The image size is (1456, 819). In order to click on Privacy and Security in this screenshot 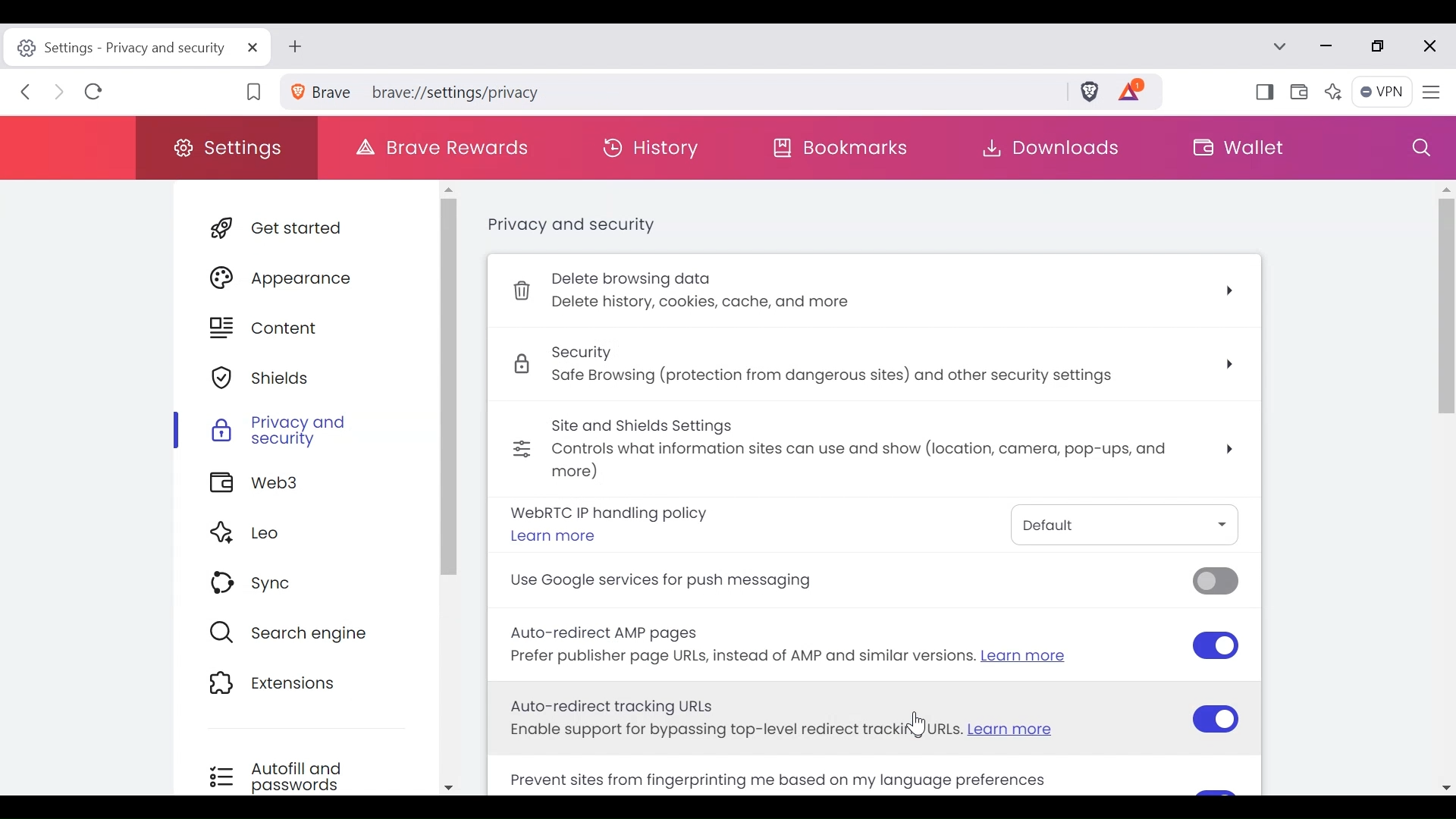, I will do `click(303, 431)`.